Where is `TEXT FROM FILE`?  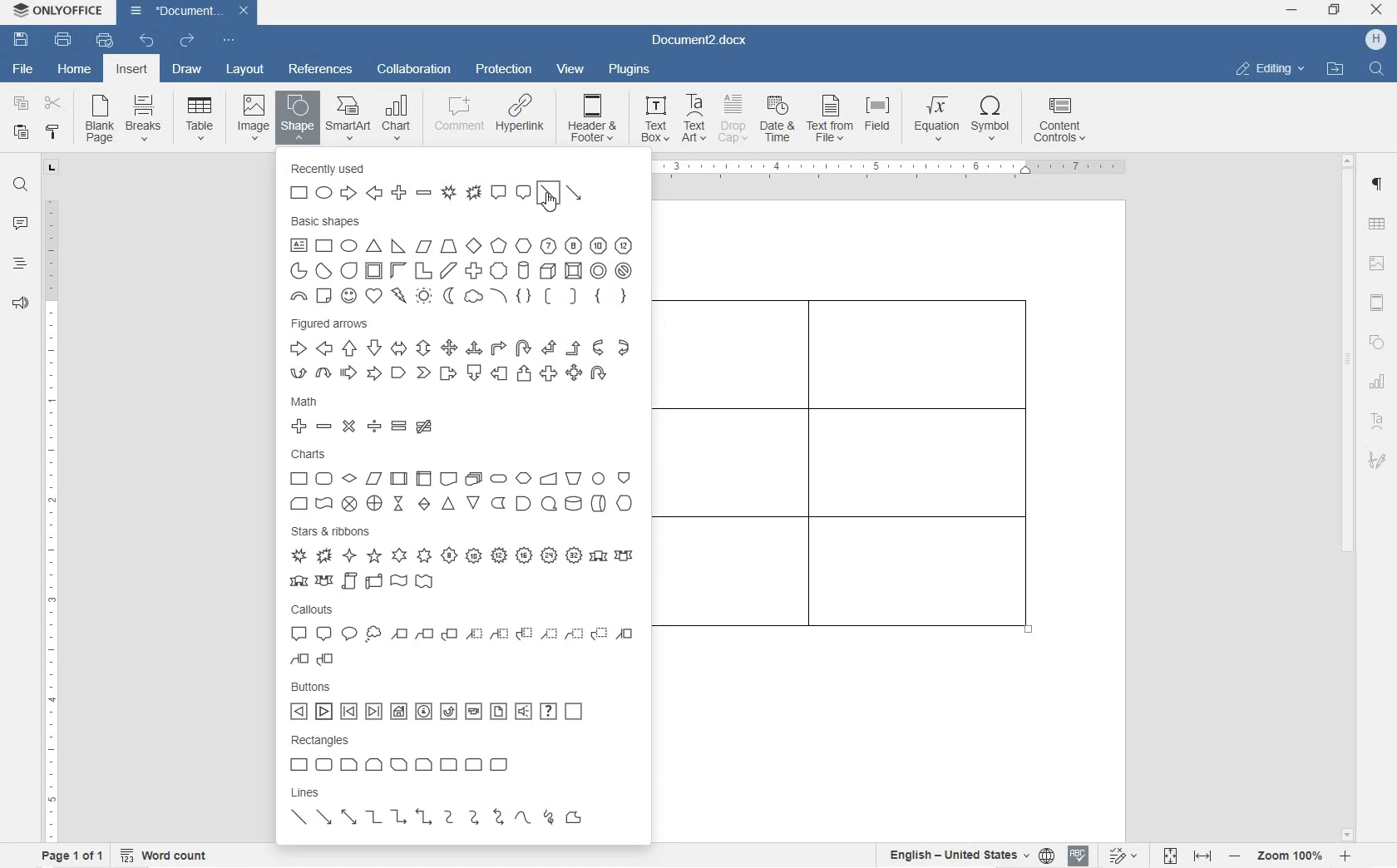 TEXT FROM FILE is located at coordinates (832, 121).